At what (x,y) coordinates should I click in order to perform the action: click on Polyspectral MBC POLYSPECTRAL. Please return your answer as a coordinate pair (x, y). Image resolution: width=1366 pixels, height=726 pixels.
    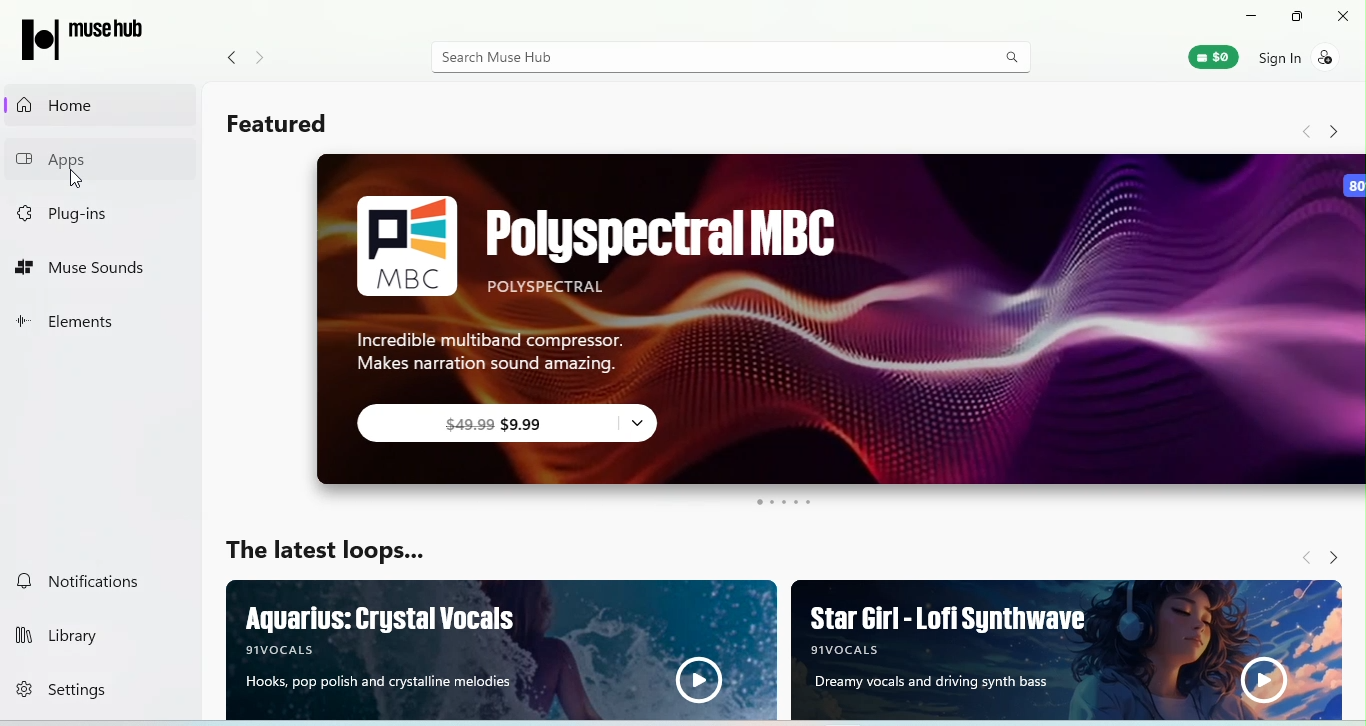
    Looking at the image, I should click on (668, 246).